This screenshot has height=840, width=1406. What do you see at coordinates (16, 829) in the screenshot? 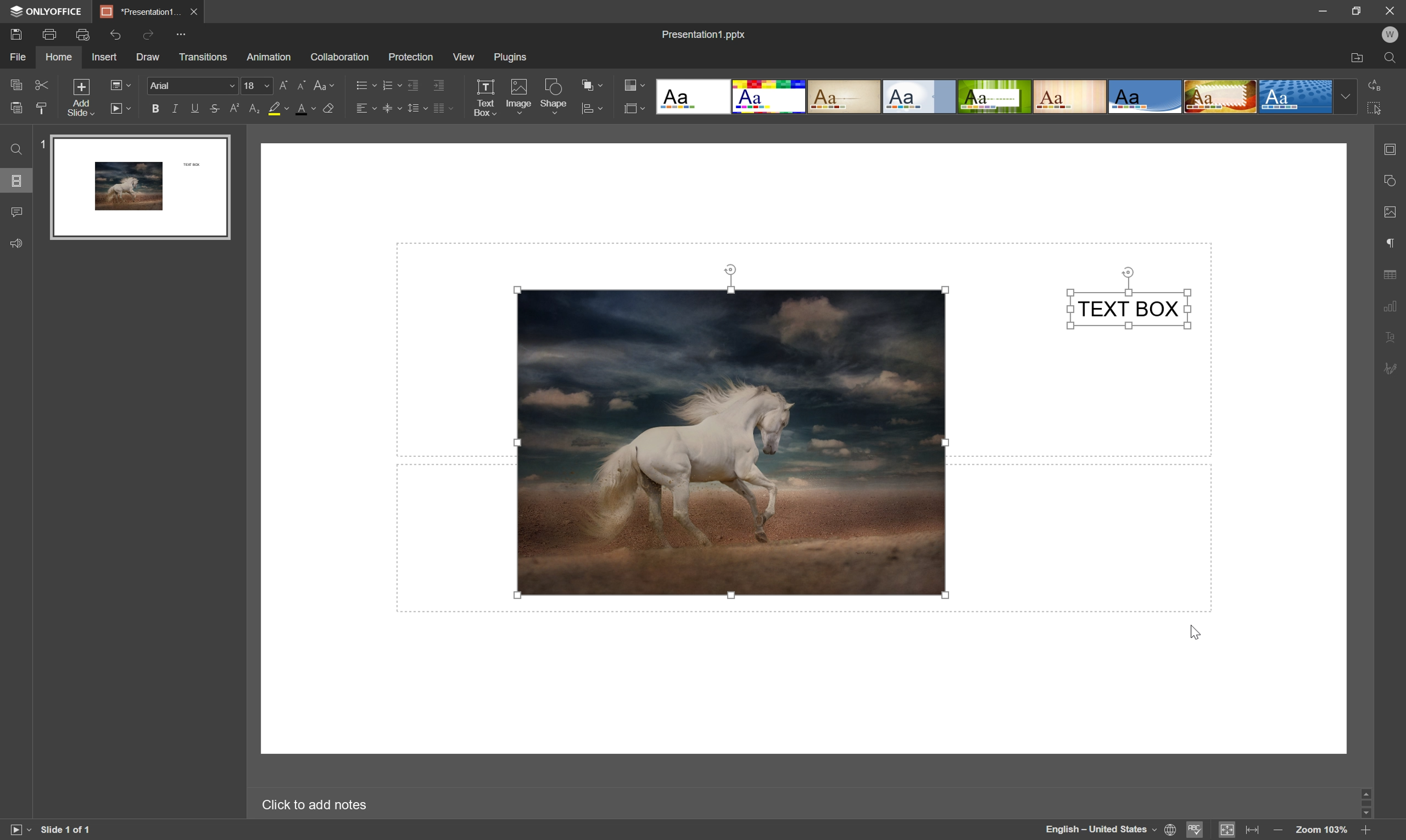
I see `start slideshow` at bounding box center [16, 829].